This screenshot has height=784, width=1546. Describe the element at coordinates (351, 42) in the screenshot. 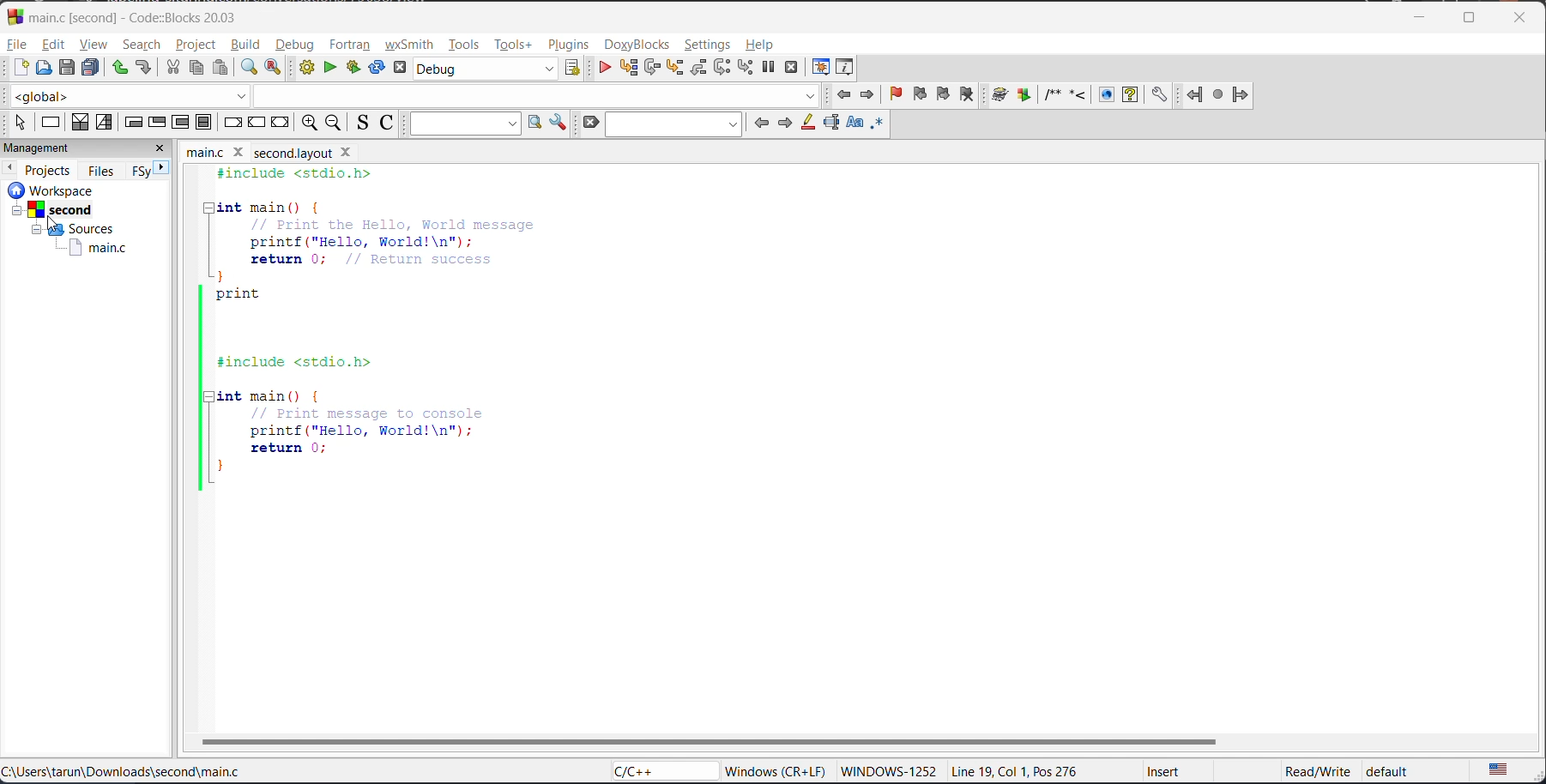

I see `fortran` at that location.